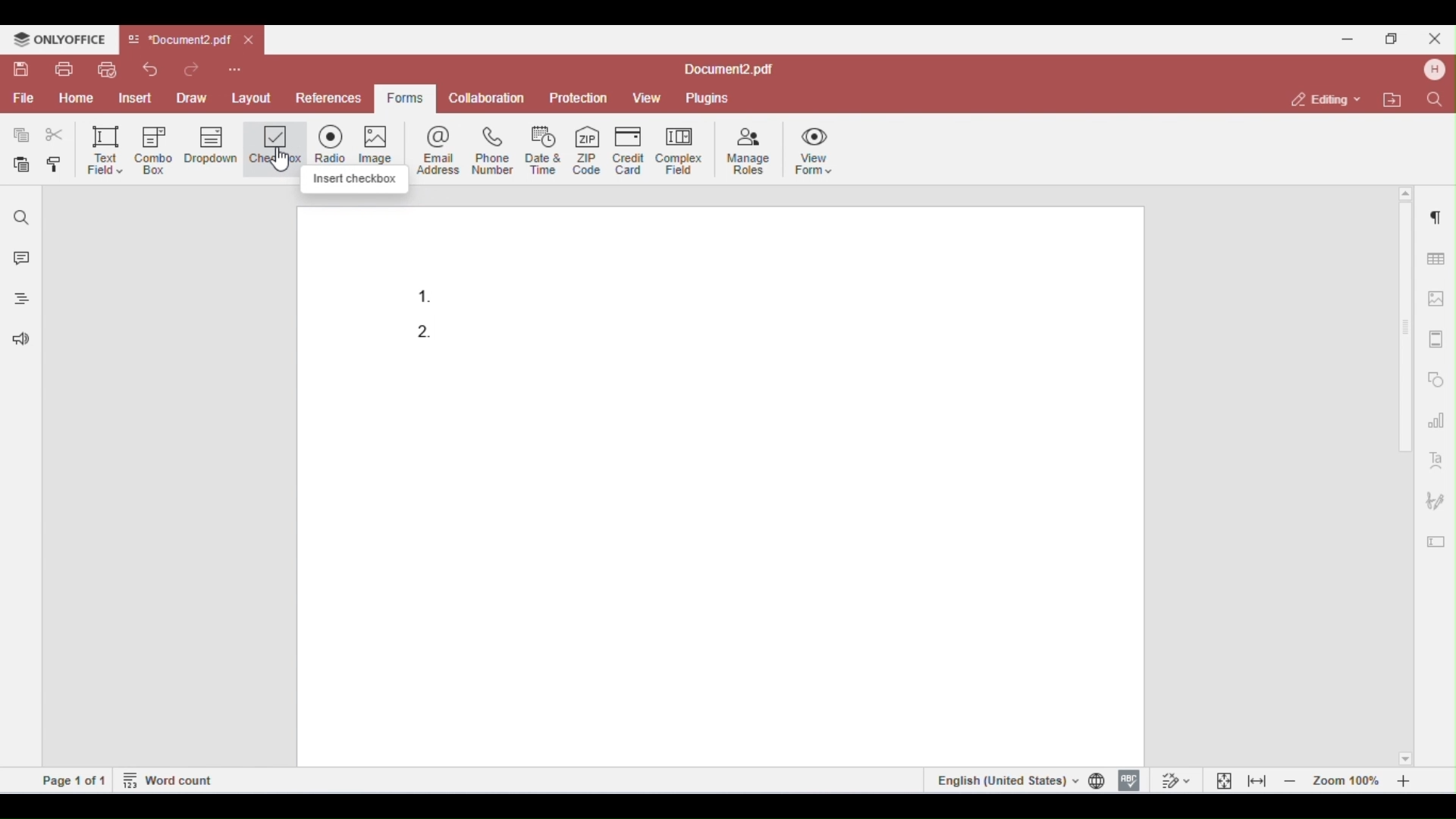  Describe the element at coordinates (64, 69) in the screenshot. I see `print` at that location.